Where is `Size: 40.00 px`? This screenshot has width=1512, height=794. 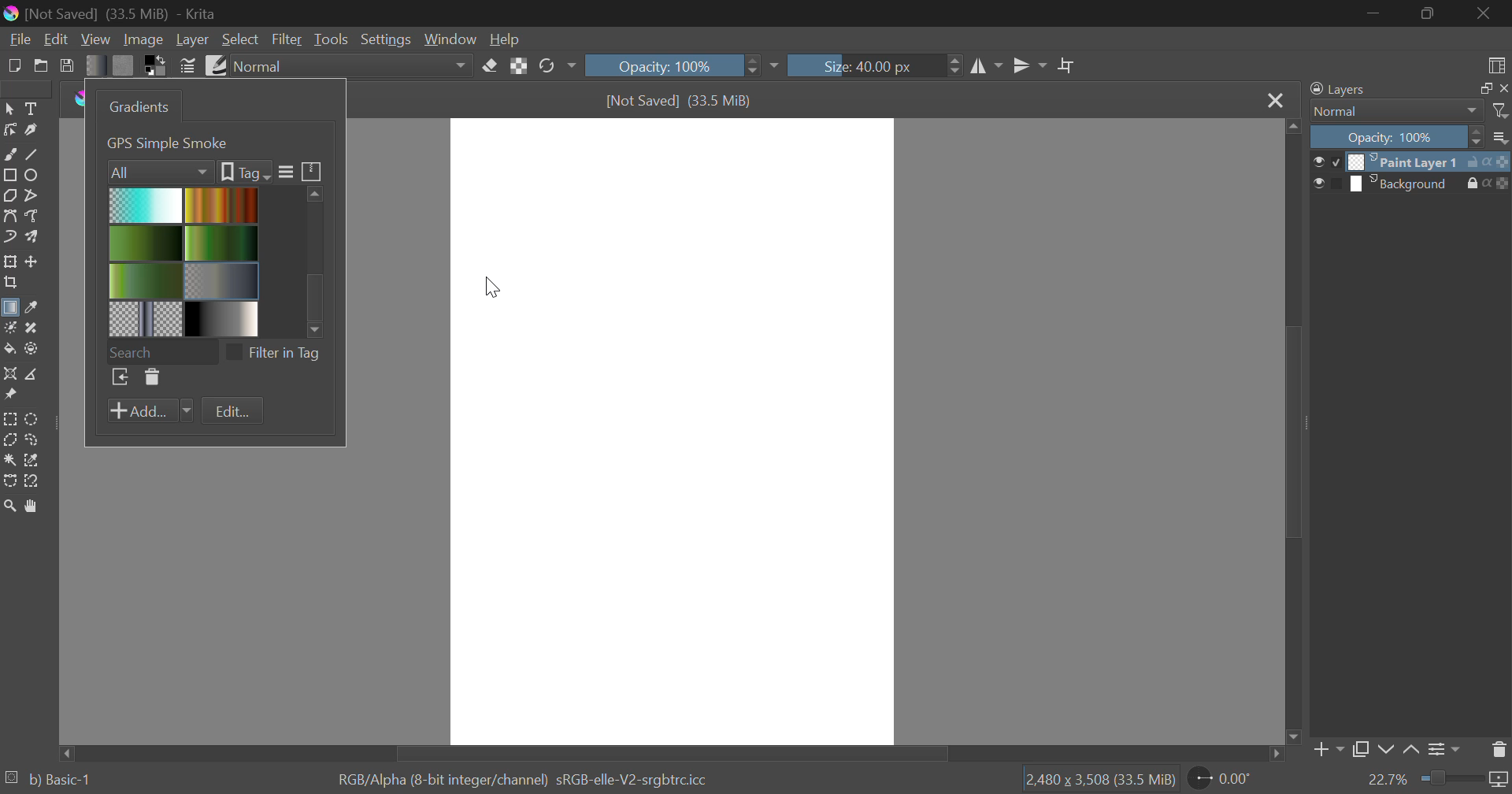
Size: 40.00 px is located at coordinates (876, 64).